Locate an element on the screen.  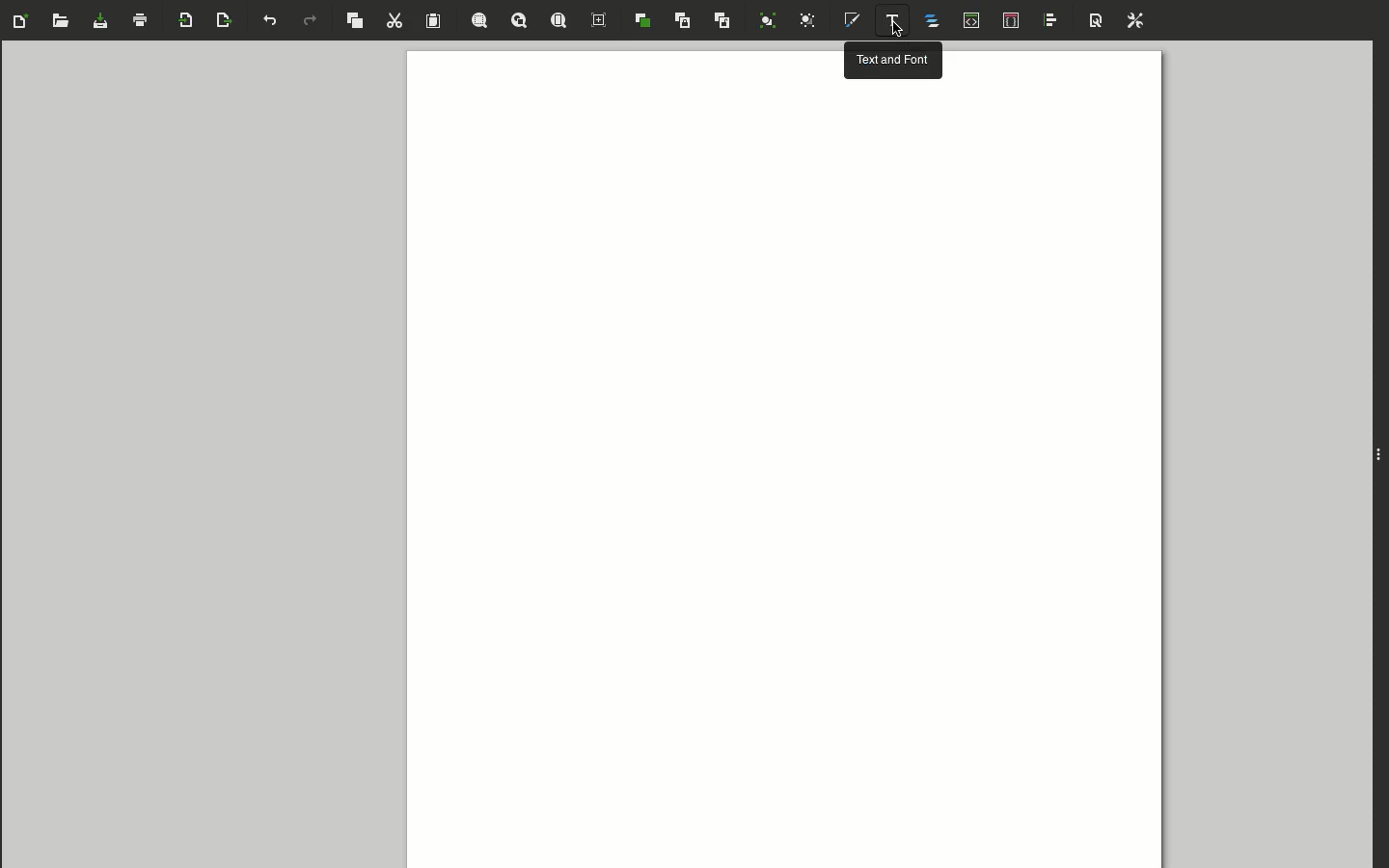
Open is located at coordinates (62, 25).